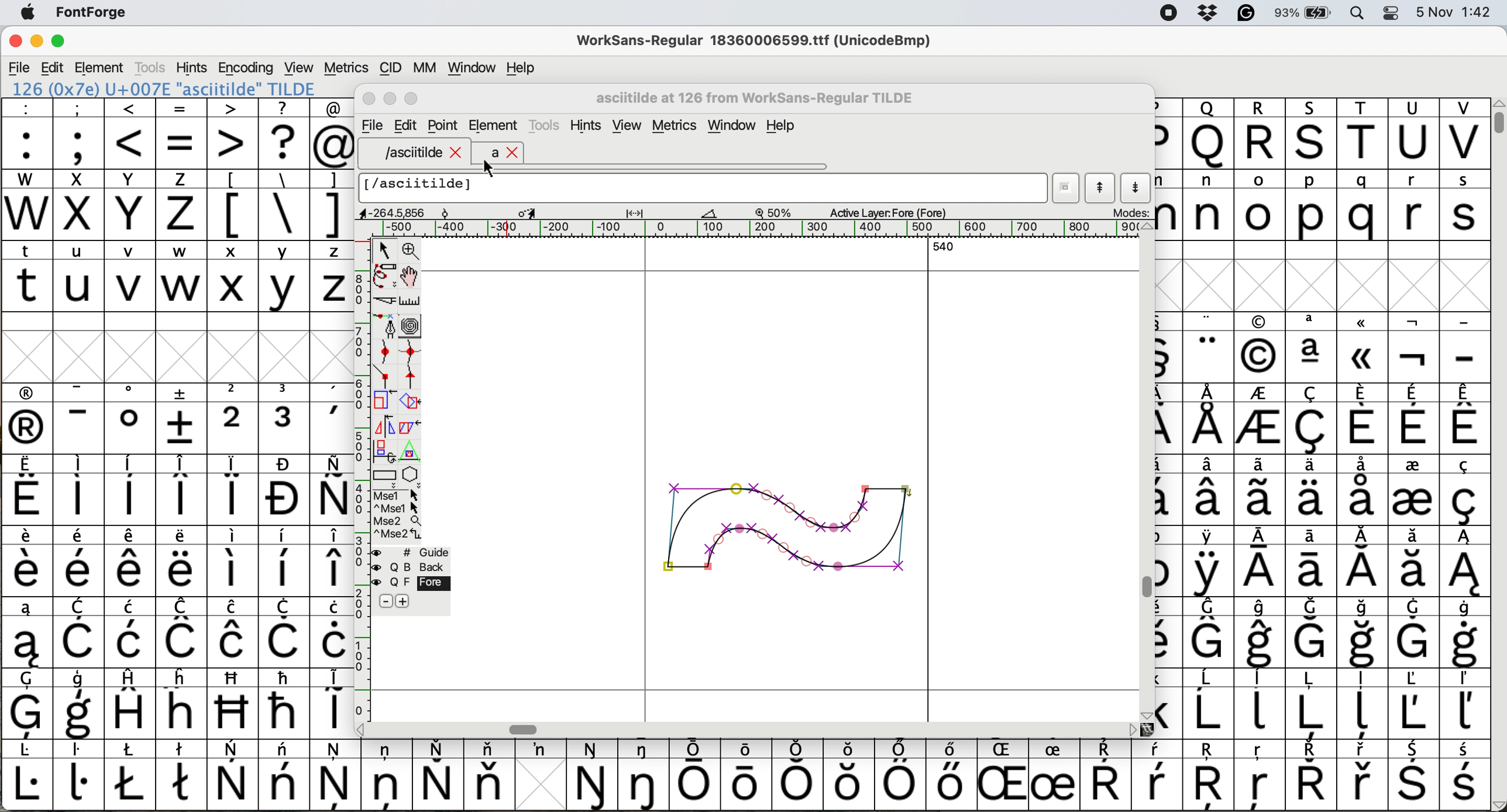  I want to click on scroll button, so click(362, 728).